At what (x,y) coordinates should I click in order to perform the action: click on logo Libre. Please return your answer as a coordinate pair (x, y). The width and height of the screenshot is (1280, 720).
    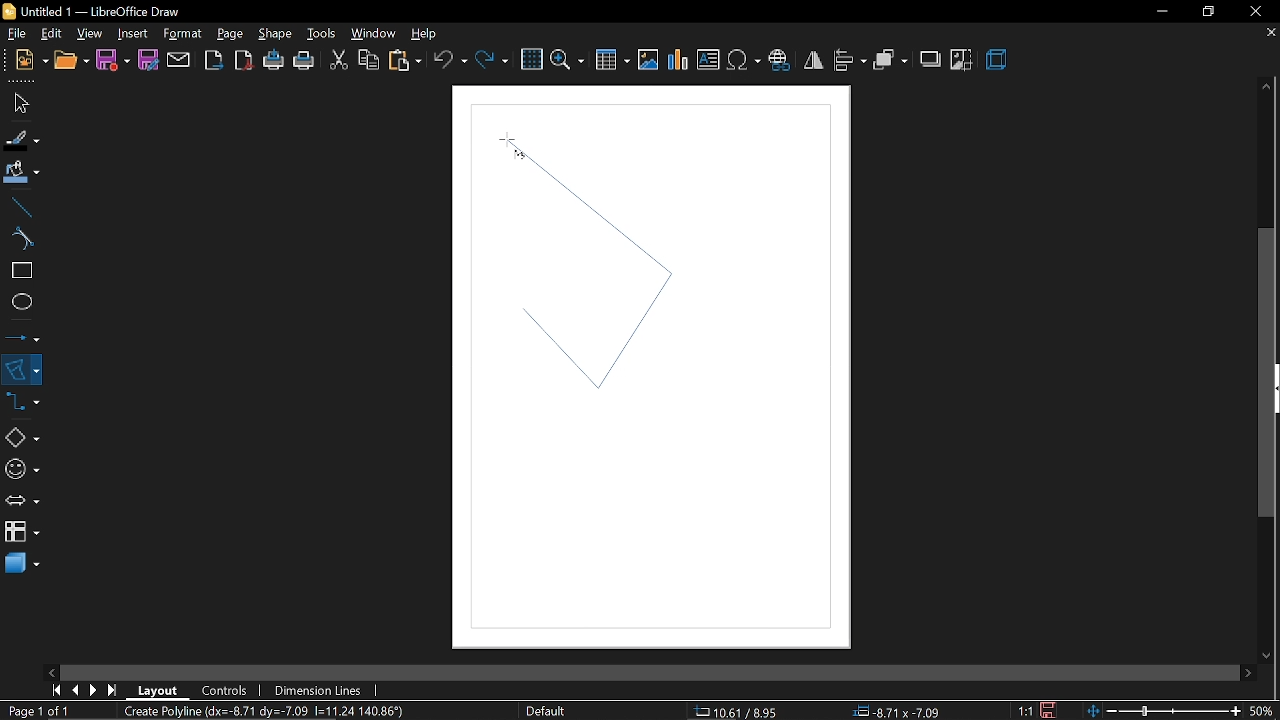
    Looking at the image, I should click on (11, 12).